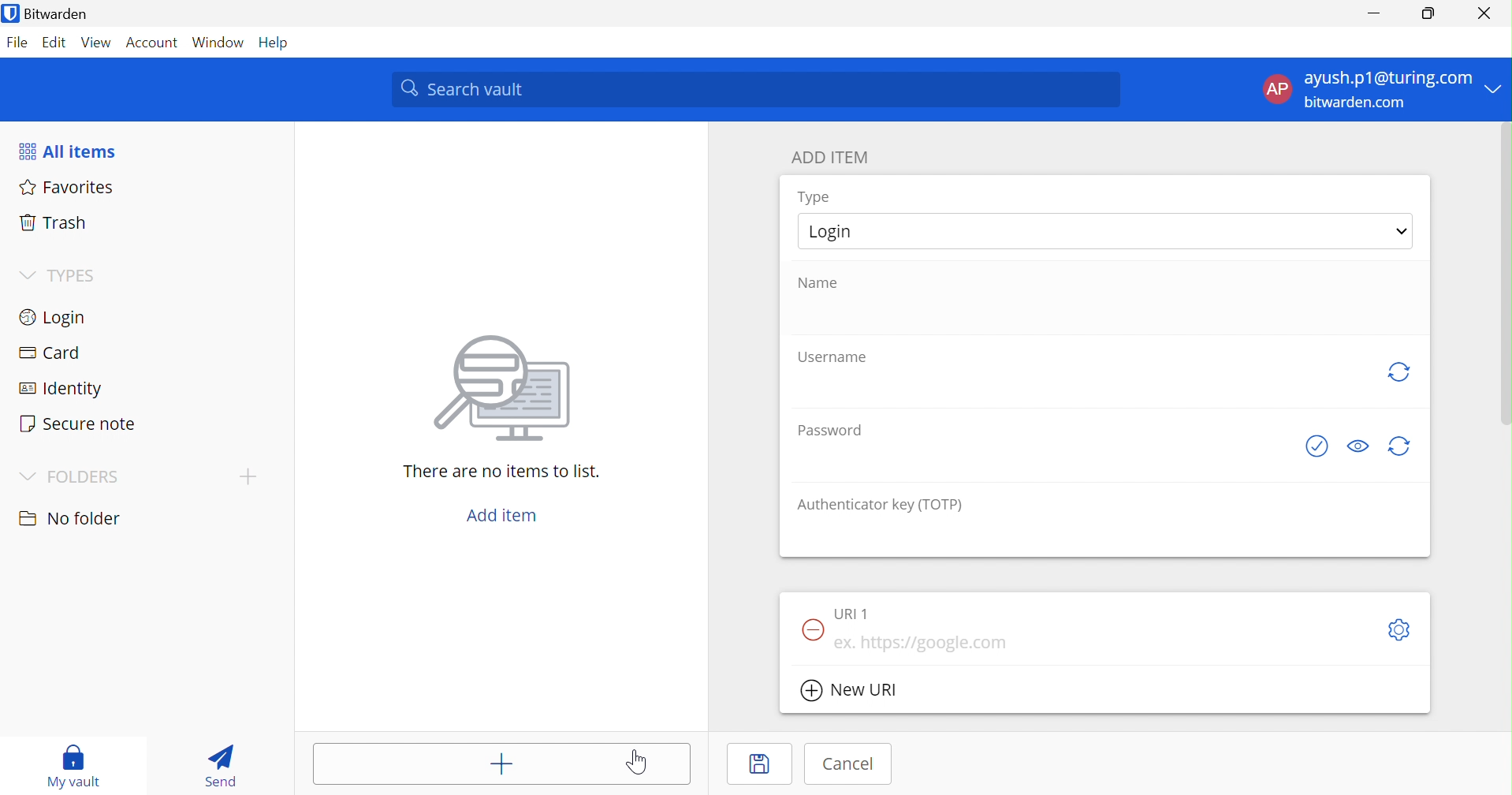 Image resolution: width=1512 pixels, height=795 pixels. What do you see at coordinates (749, 767) in the screenshot?
I see `Save` at bounding box center [749, 767].